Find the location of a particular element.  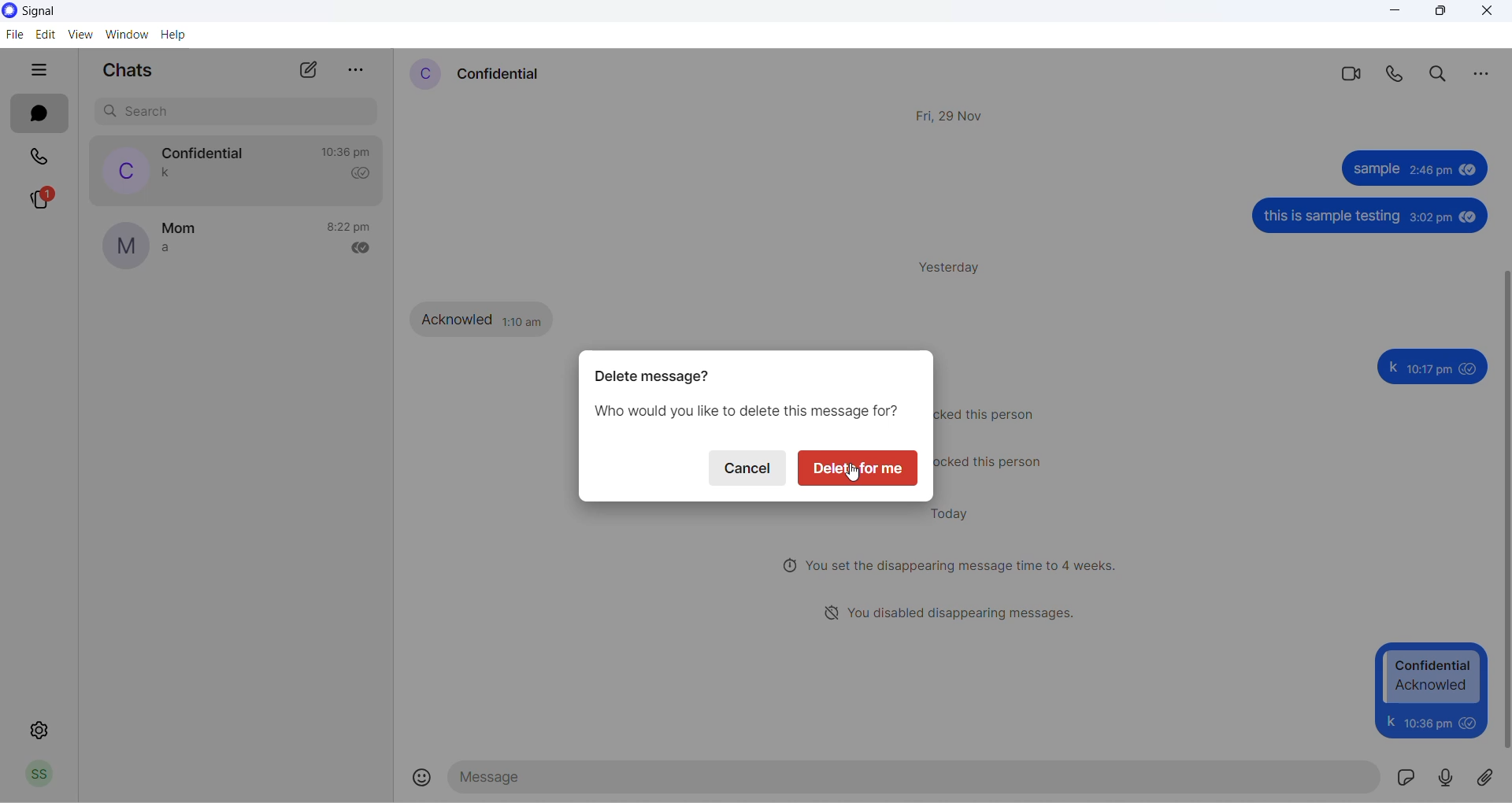

k is located at coordinates (1389, 721).